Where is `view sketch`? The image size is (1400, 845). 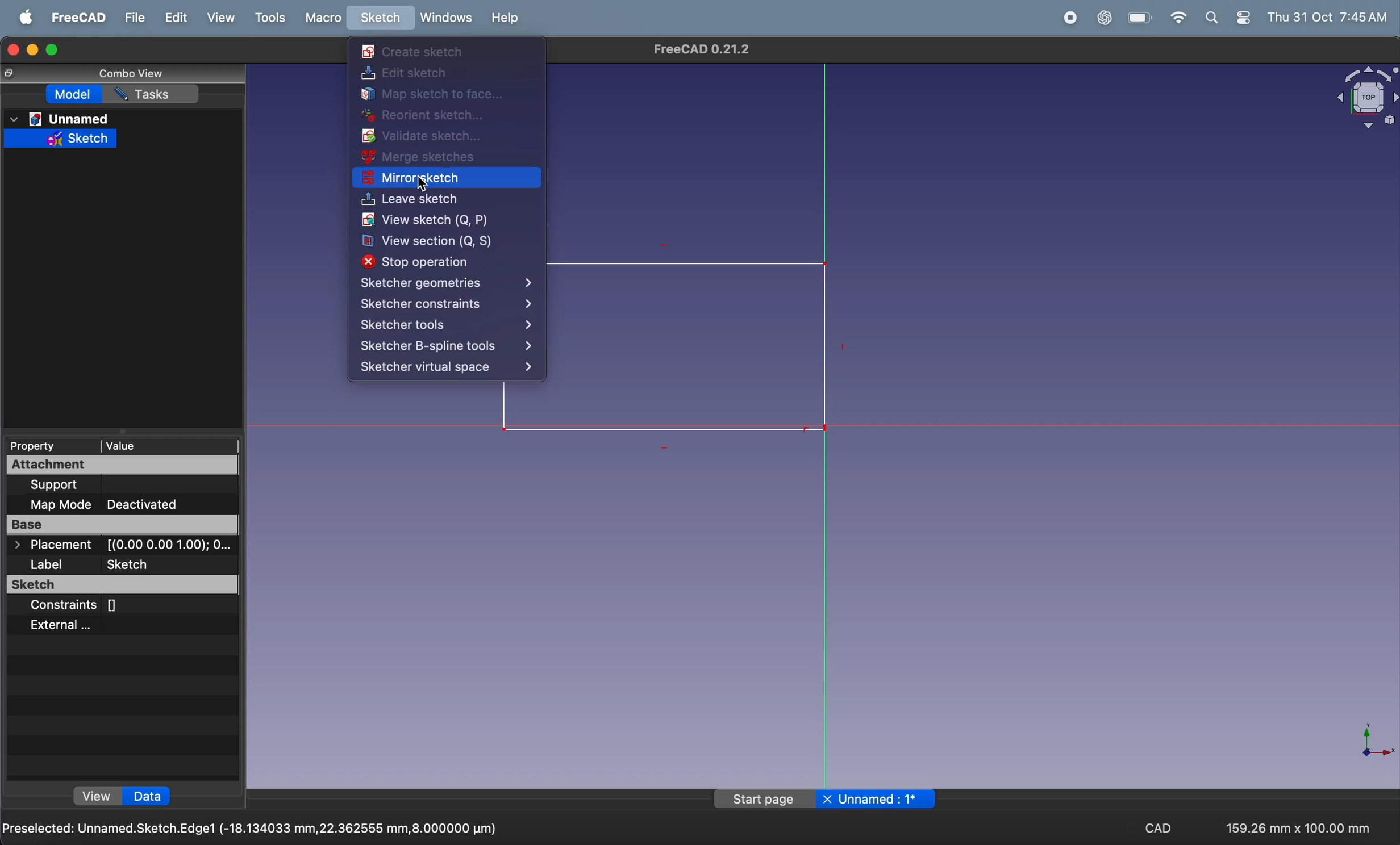 view sketch is located at coordinates (440, 221).